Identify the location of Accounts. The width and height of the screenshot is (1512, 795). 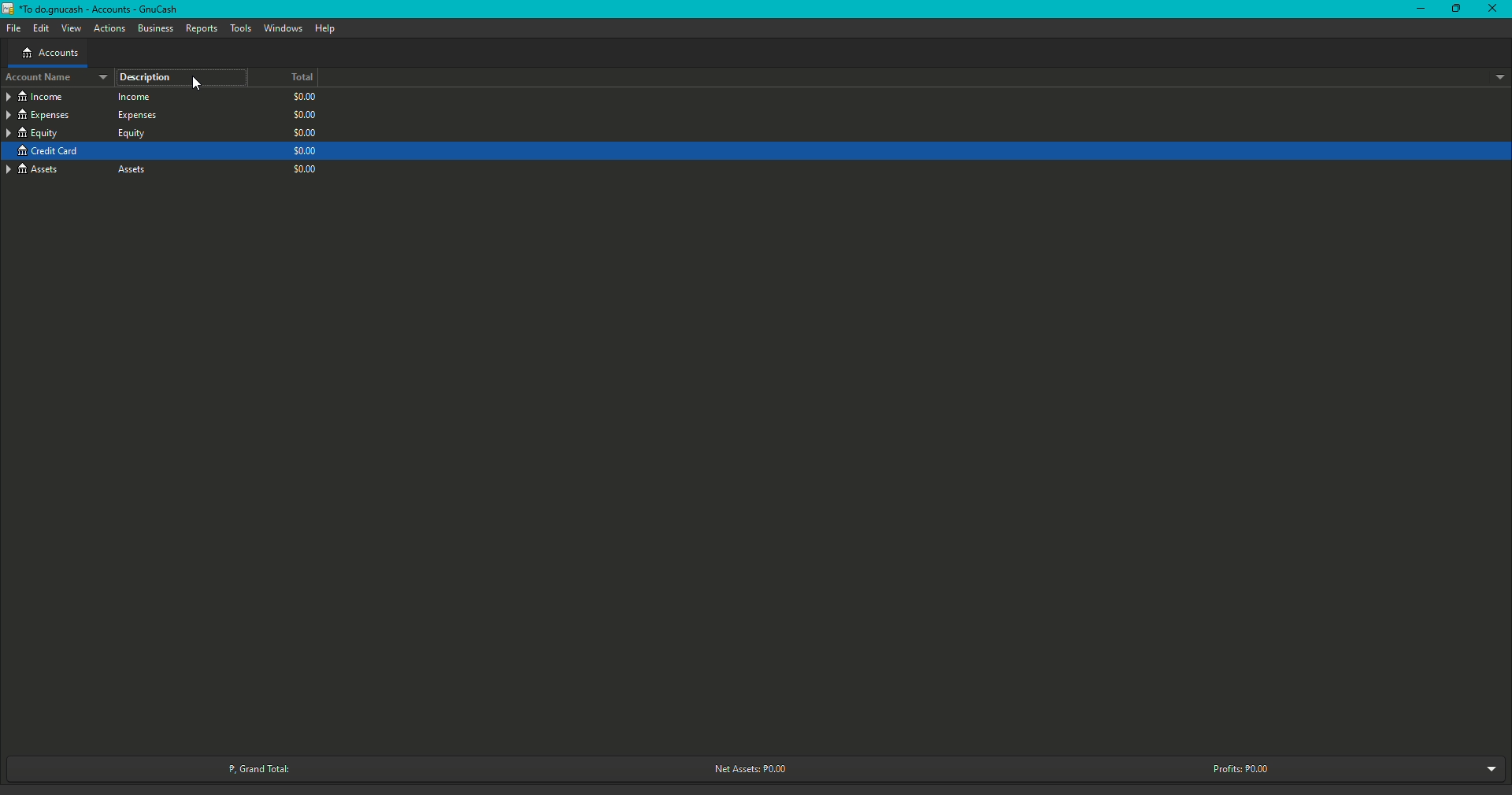
(53, 54).